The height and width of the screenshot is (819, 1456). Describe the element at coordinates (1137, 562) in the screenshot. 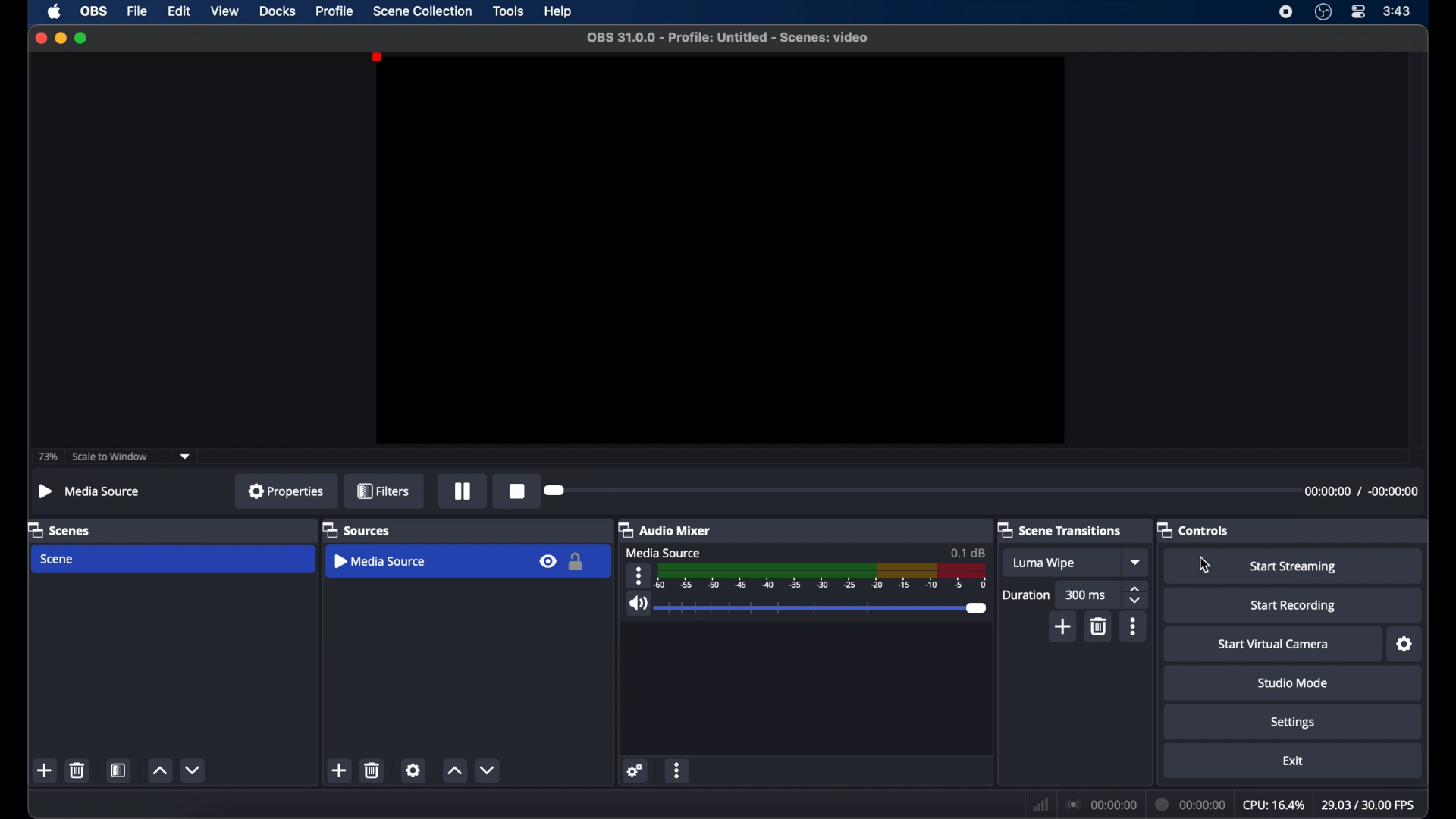

I see `dropdown` at that location.